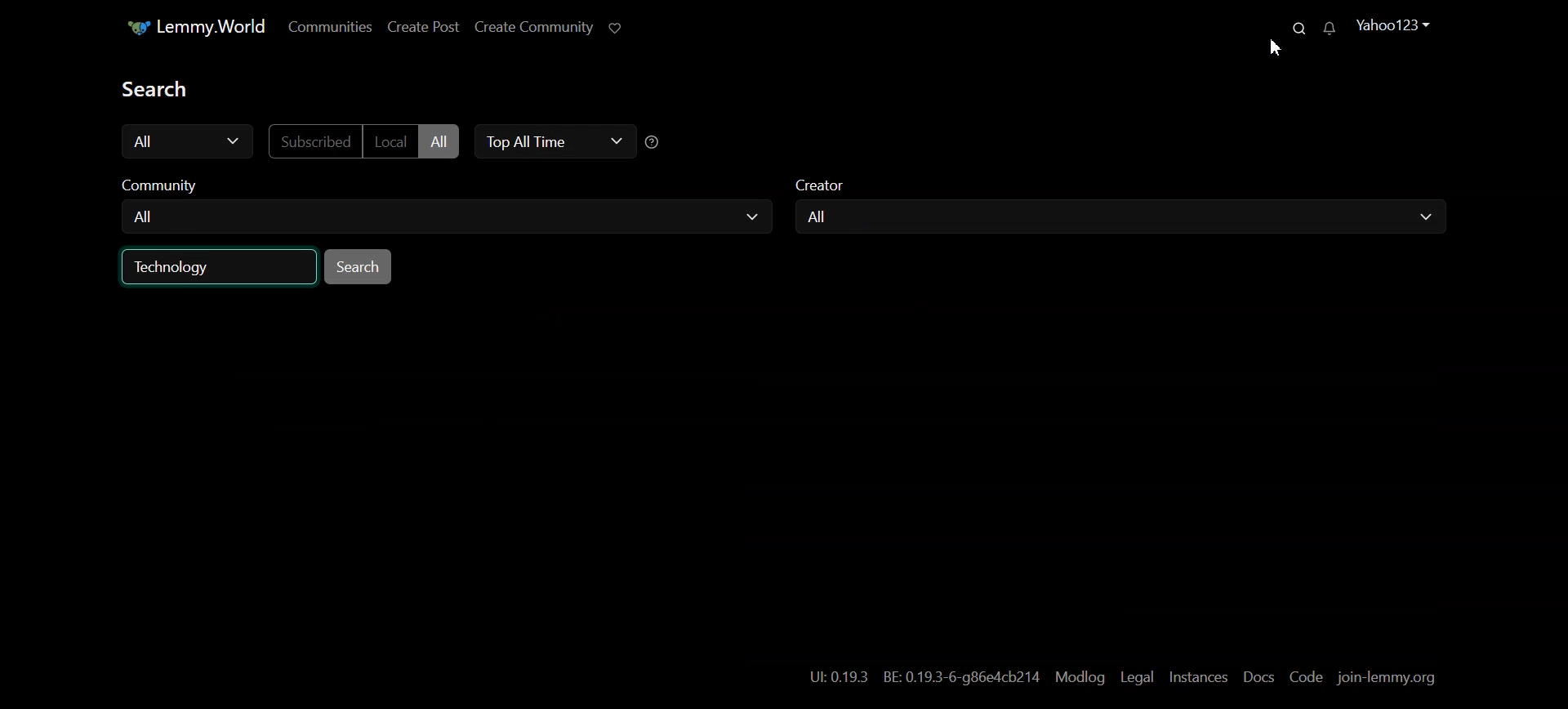 This screenshot has height=709, width=1568. I want to click on Search, so click(1295, 27).